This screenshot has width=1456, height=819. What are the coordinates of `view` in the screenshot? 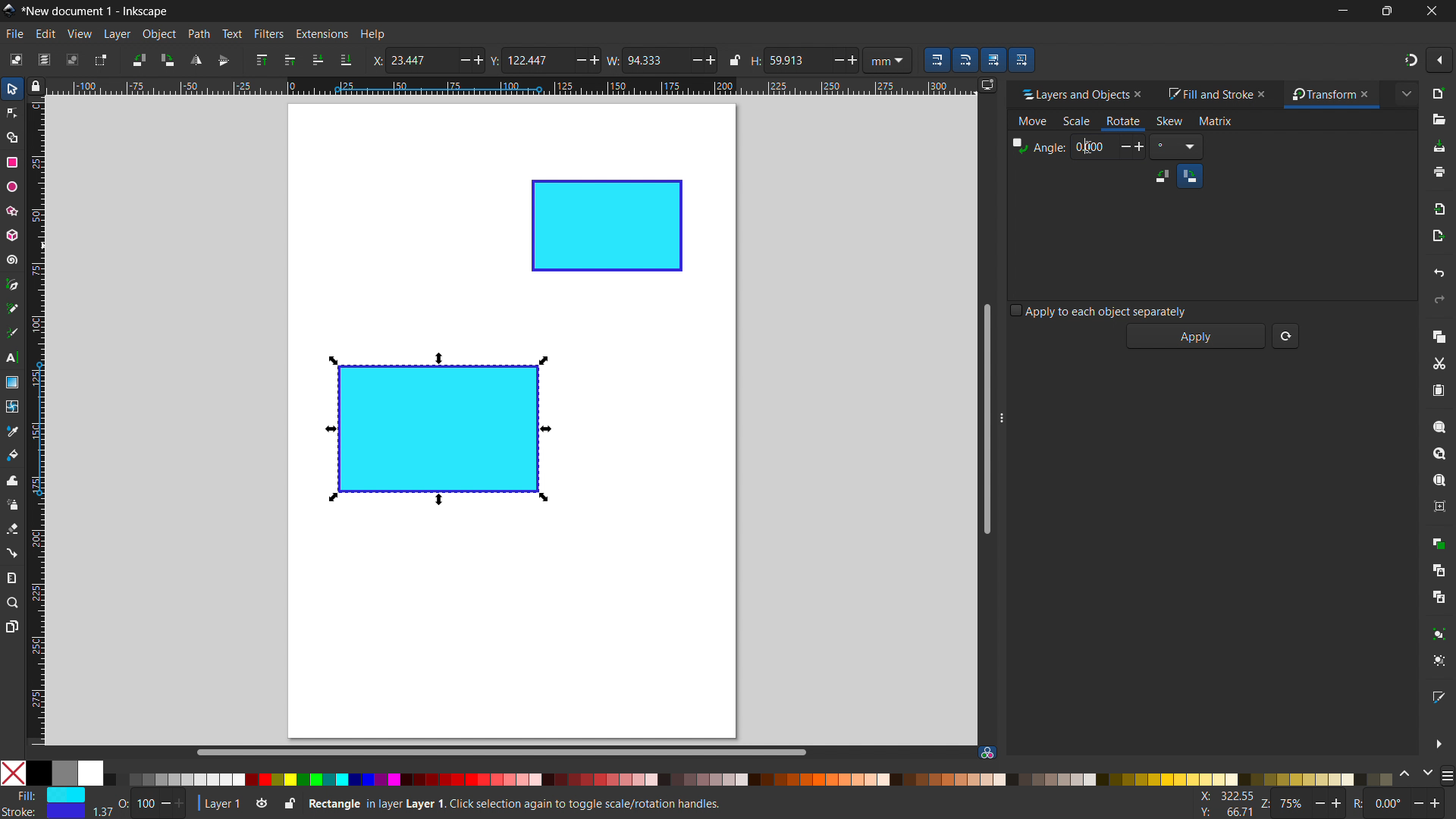 It's located at (79, 34).